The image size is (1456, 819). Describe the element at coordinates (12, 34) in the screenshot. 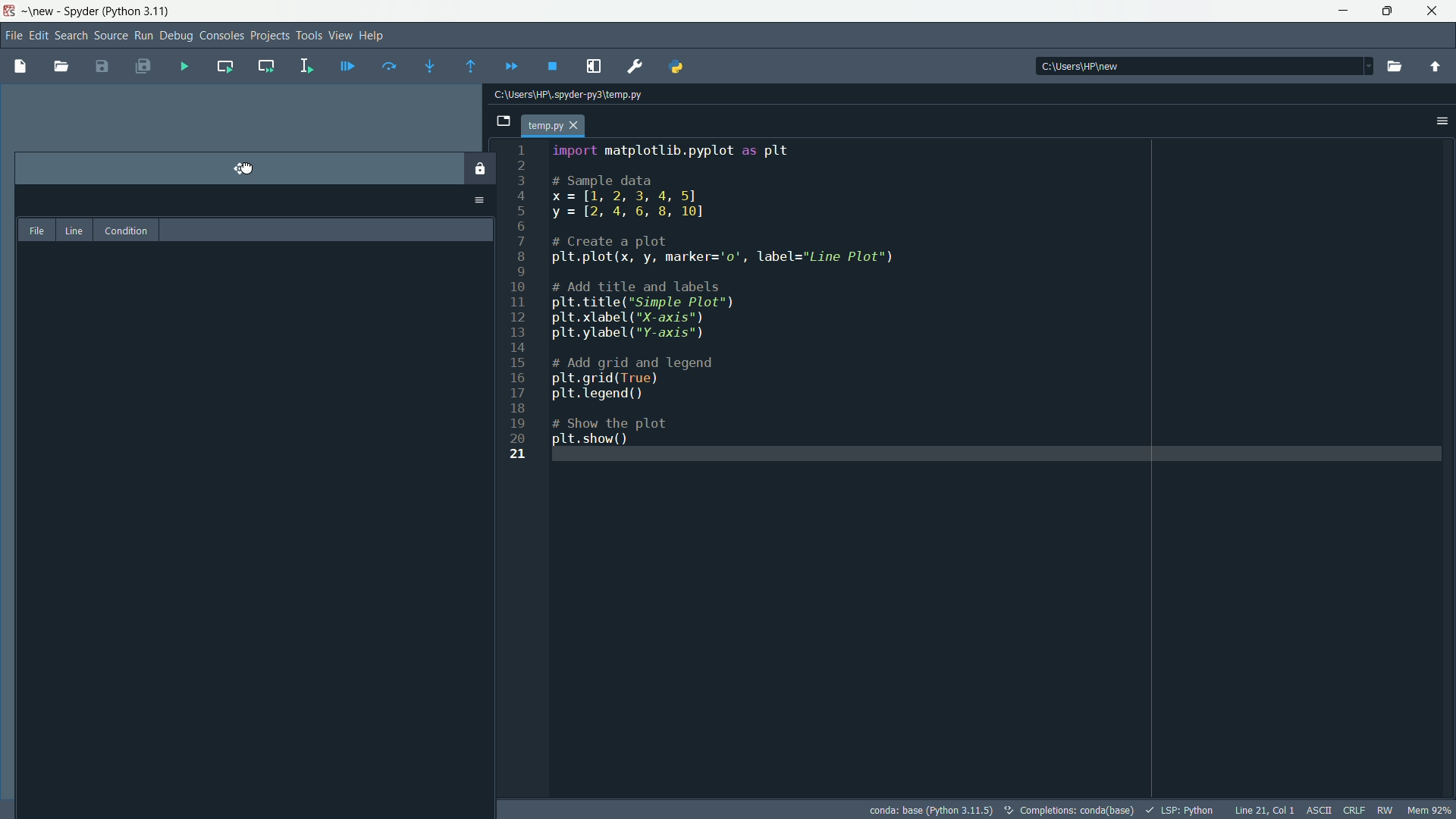

I see `file menu` at that location.